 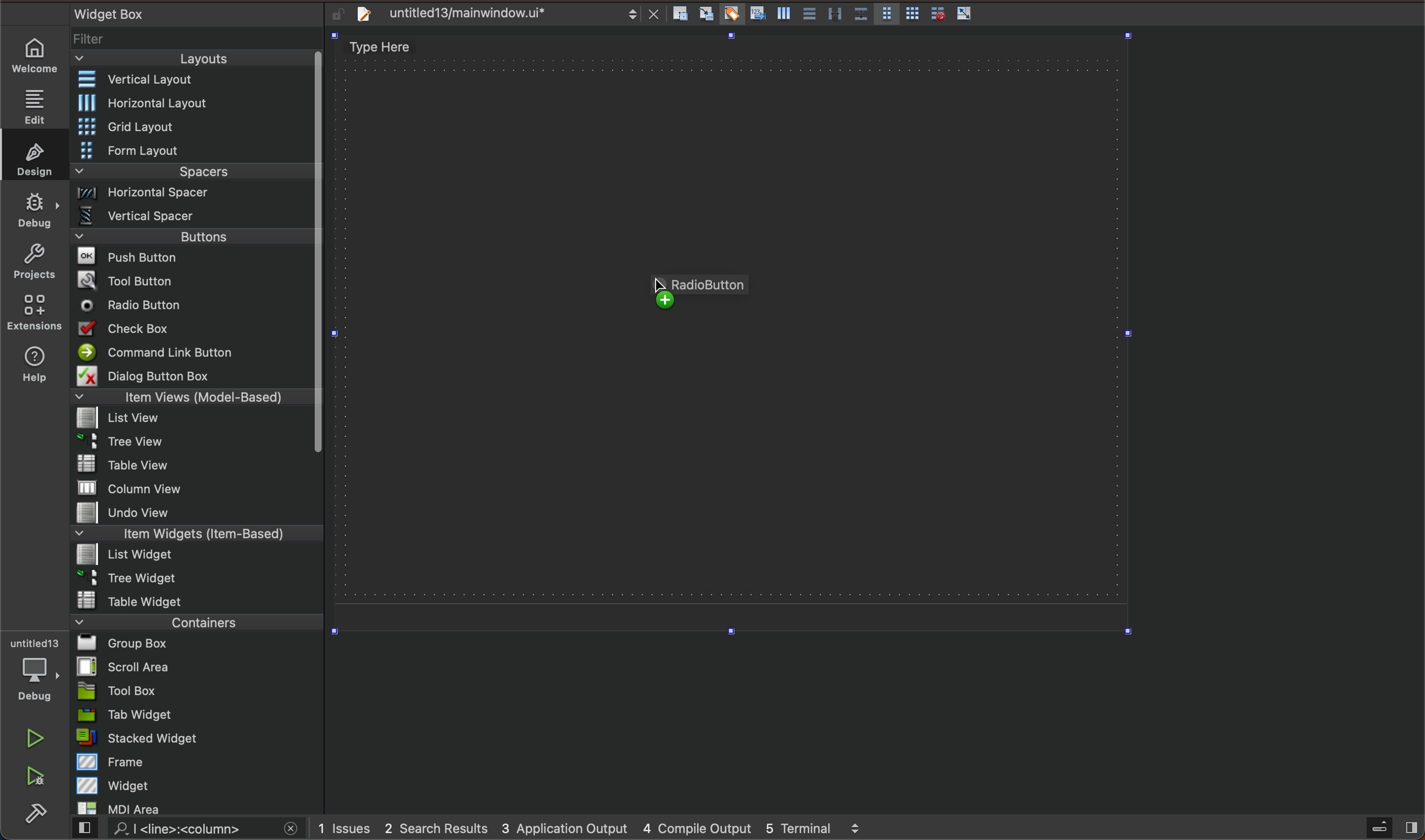 I want to click on item views, so click(x=190, y=399).